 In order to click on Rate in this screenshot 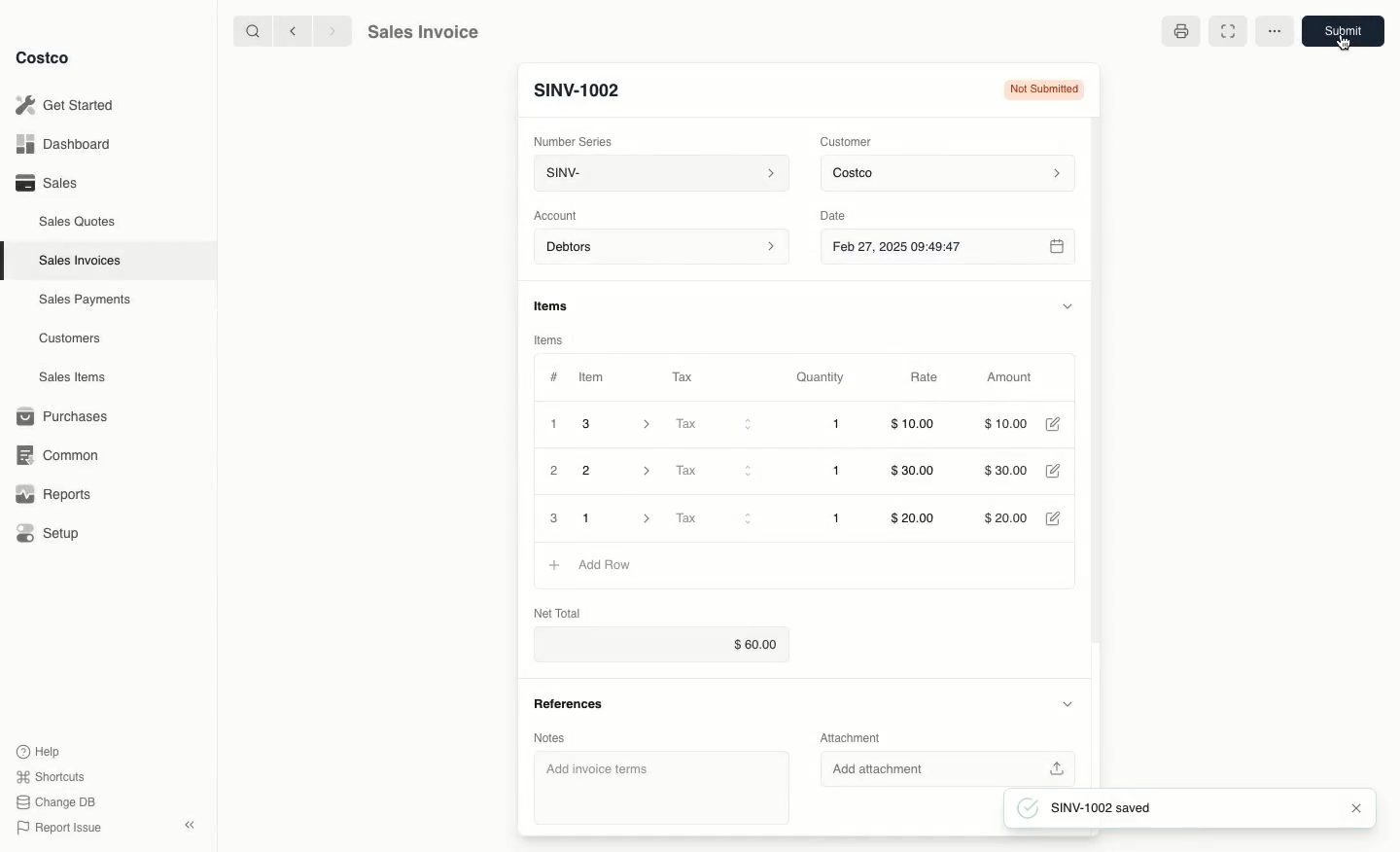, I will do `click(926, 378)`.